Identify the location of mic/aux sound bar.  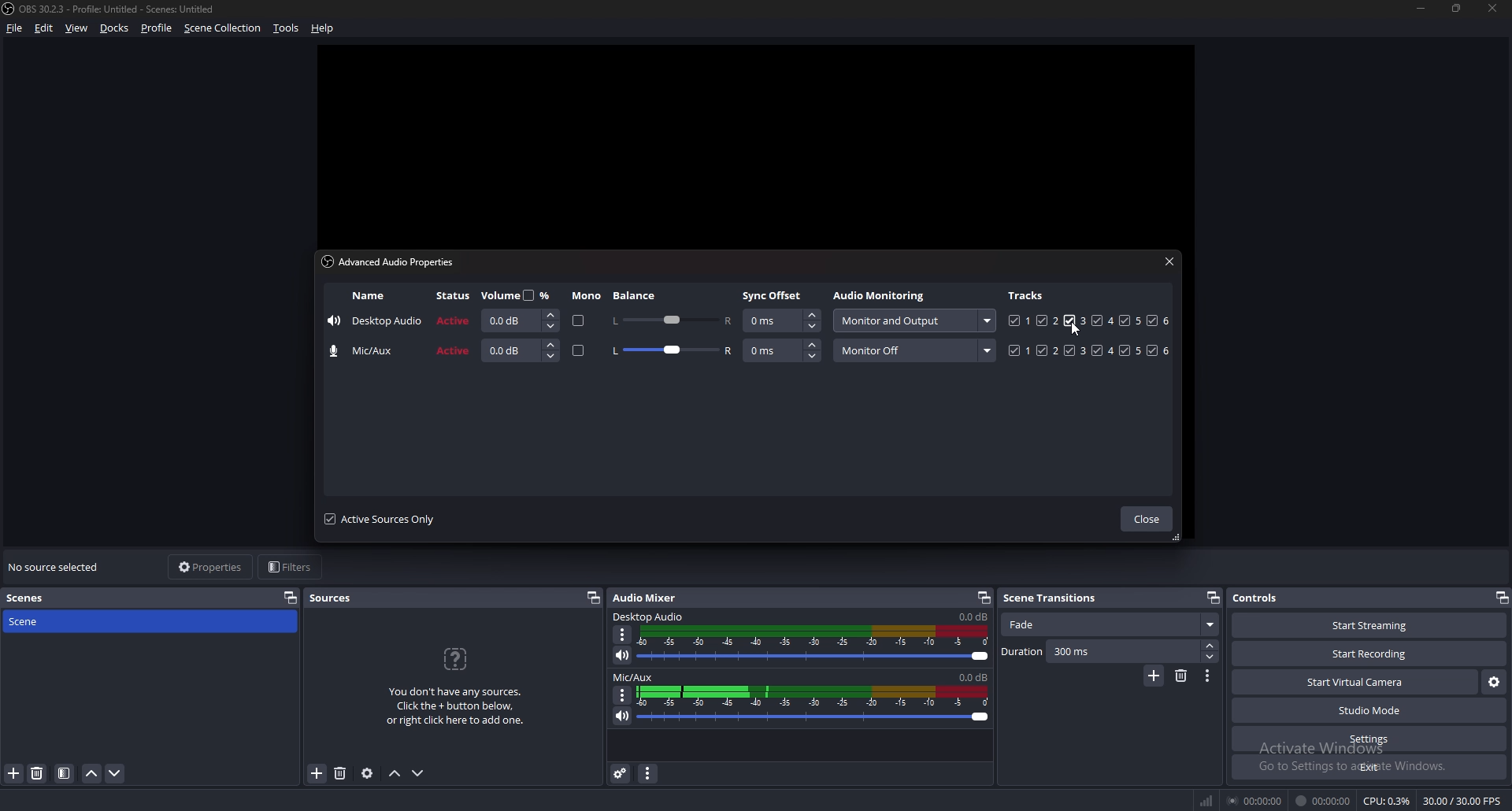
(813, 703).